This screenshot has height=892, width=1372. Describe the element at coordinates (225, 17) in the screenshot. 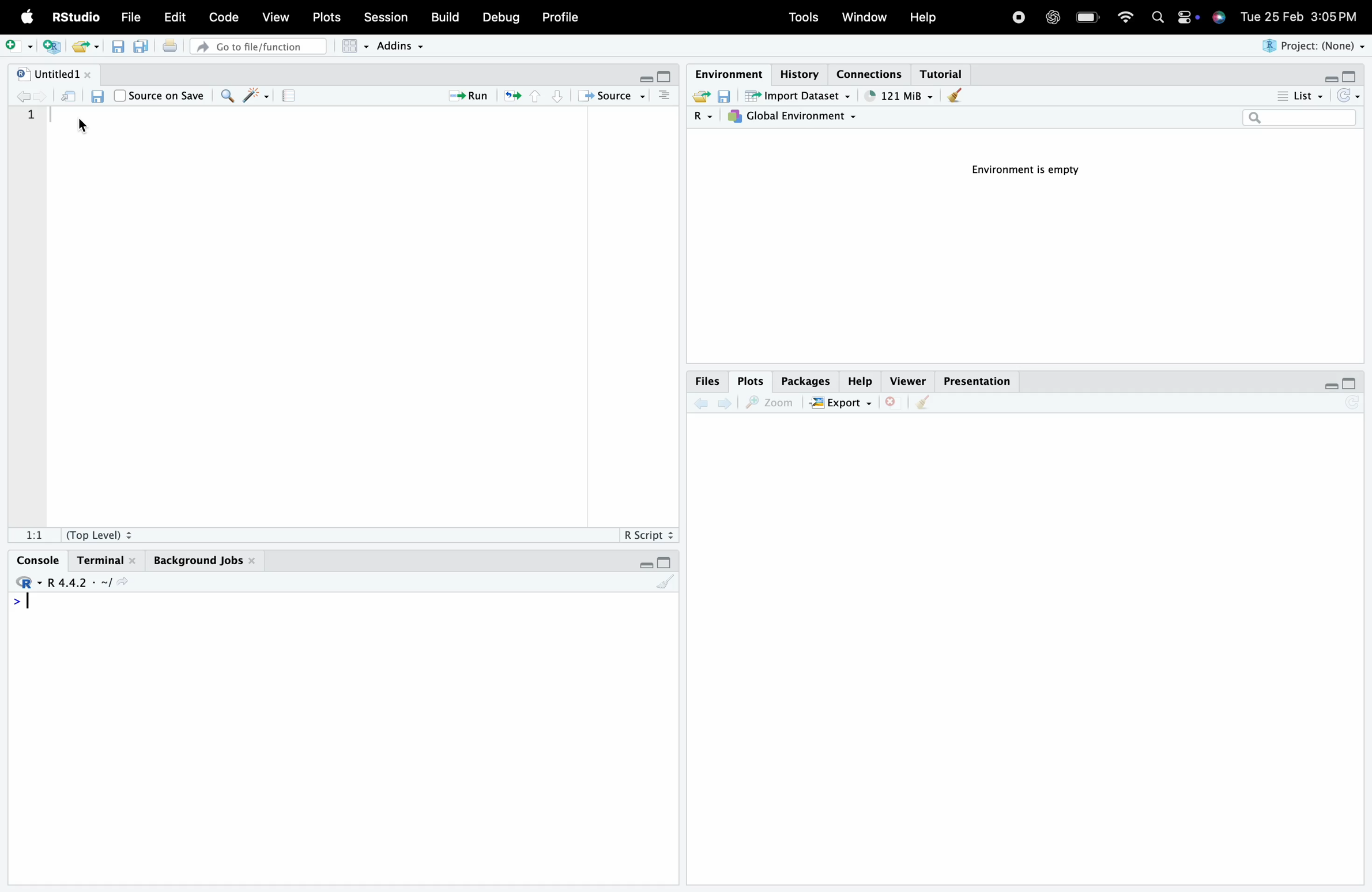

I see `Code` at that location.